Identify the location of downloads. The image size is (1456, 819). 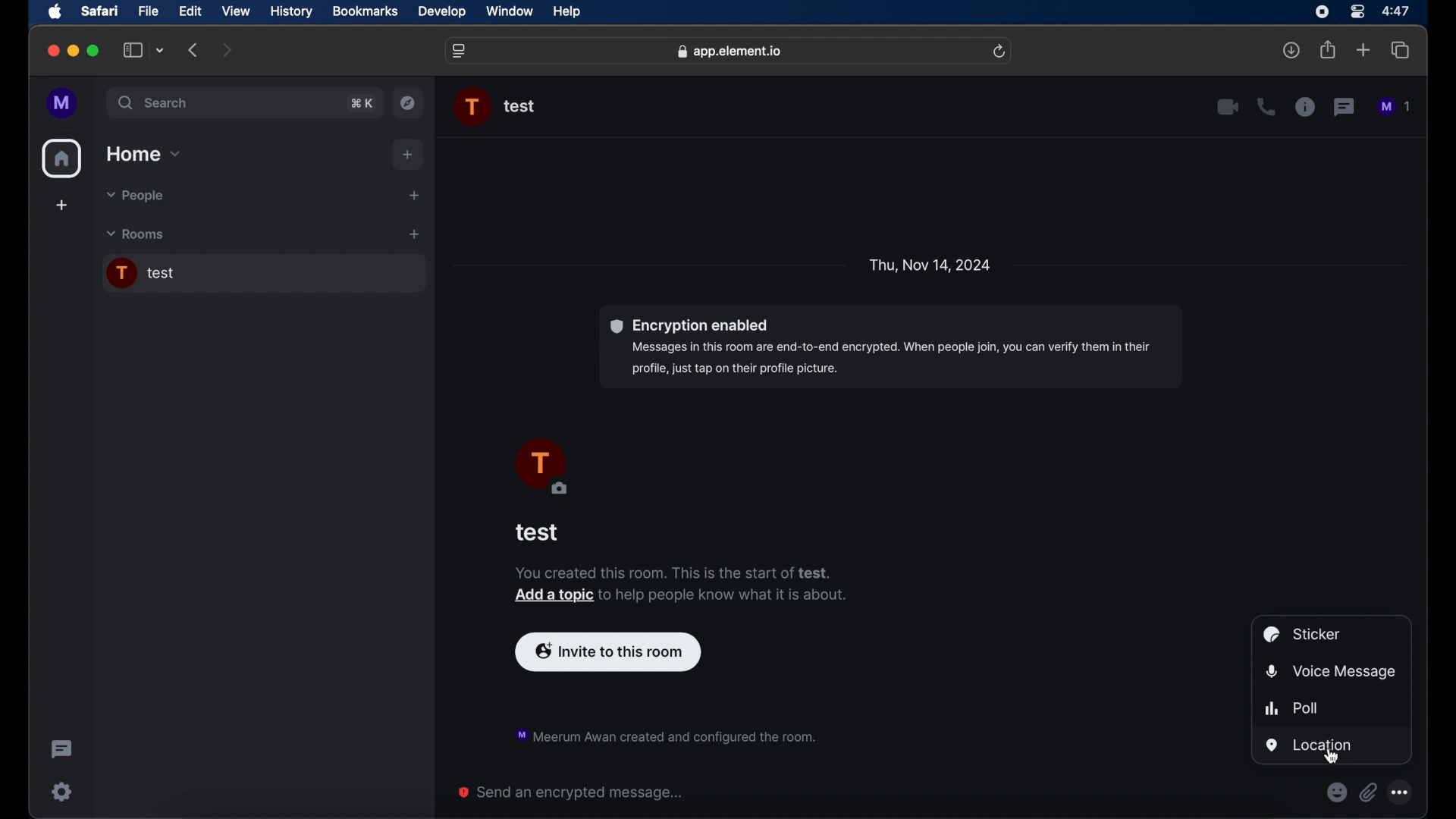
(1293, 51).